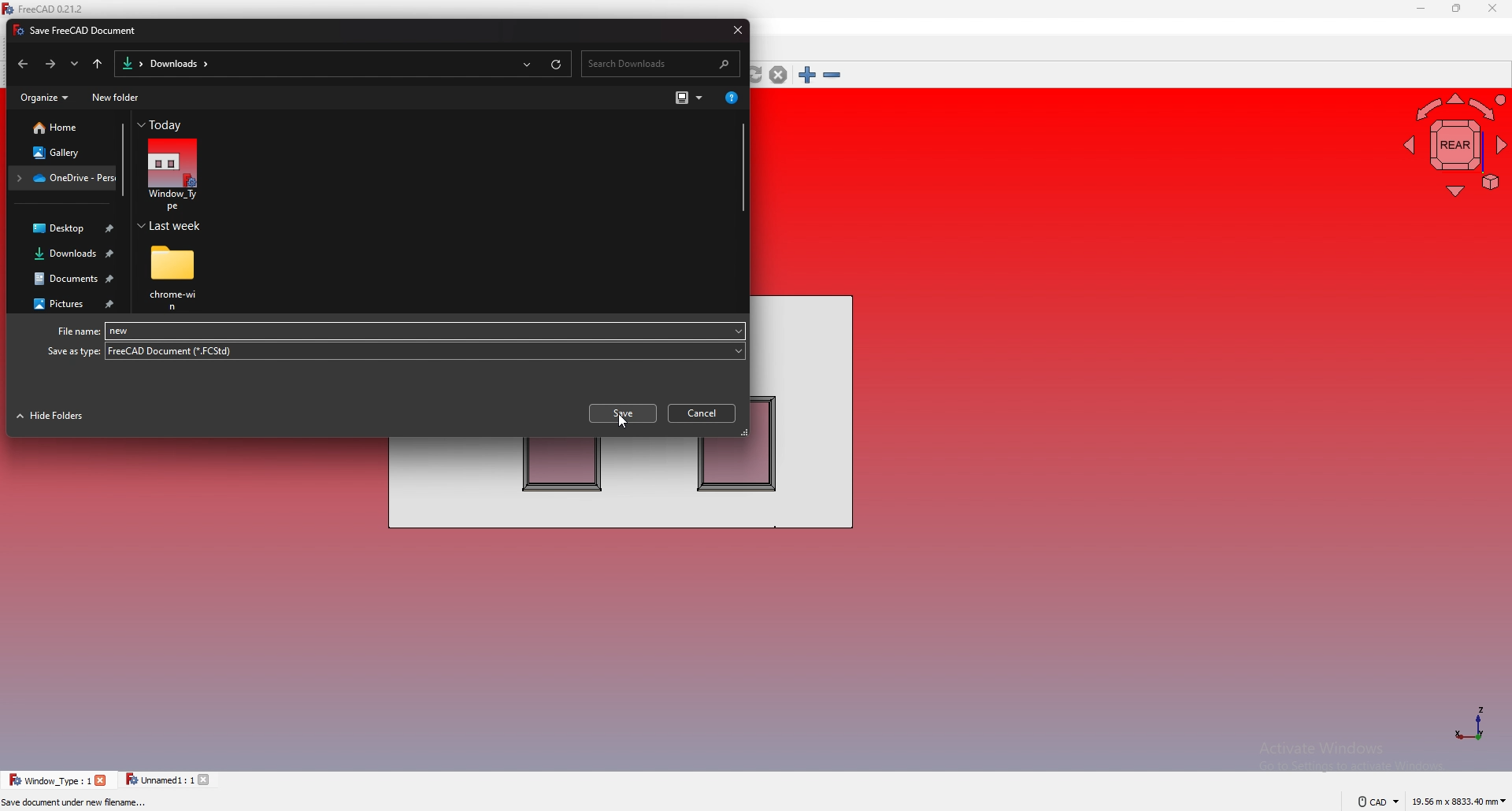 This screenshot has height=811, width=1512. I want to click on recent, so click(527, 63).